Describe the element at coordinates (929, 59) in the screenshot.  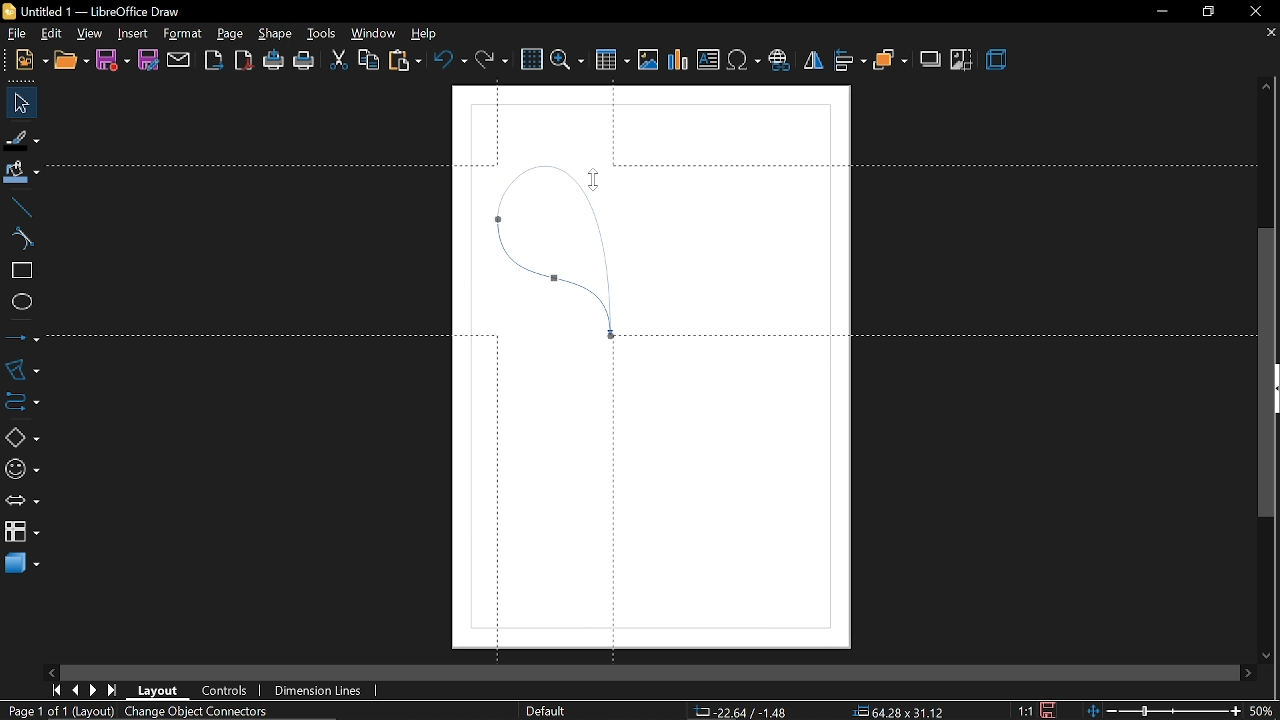
I see `shadow` at that location.